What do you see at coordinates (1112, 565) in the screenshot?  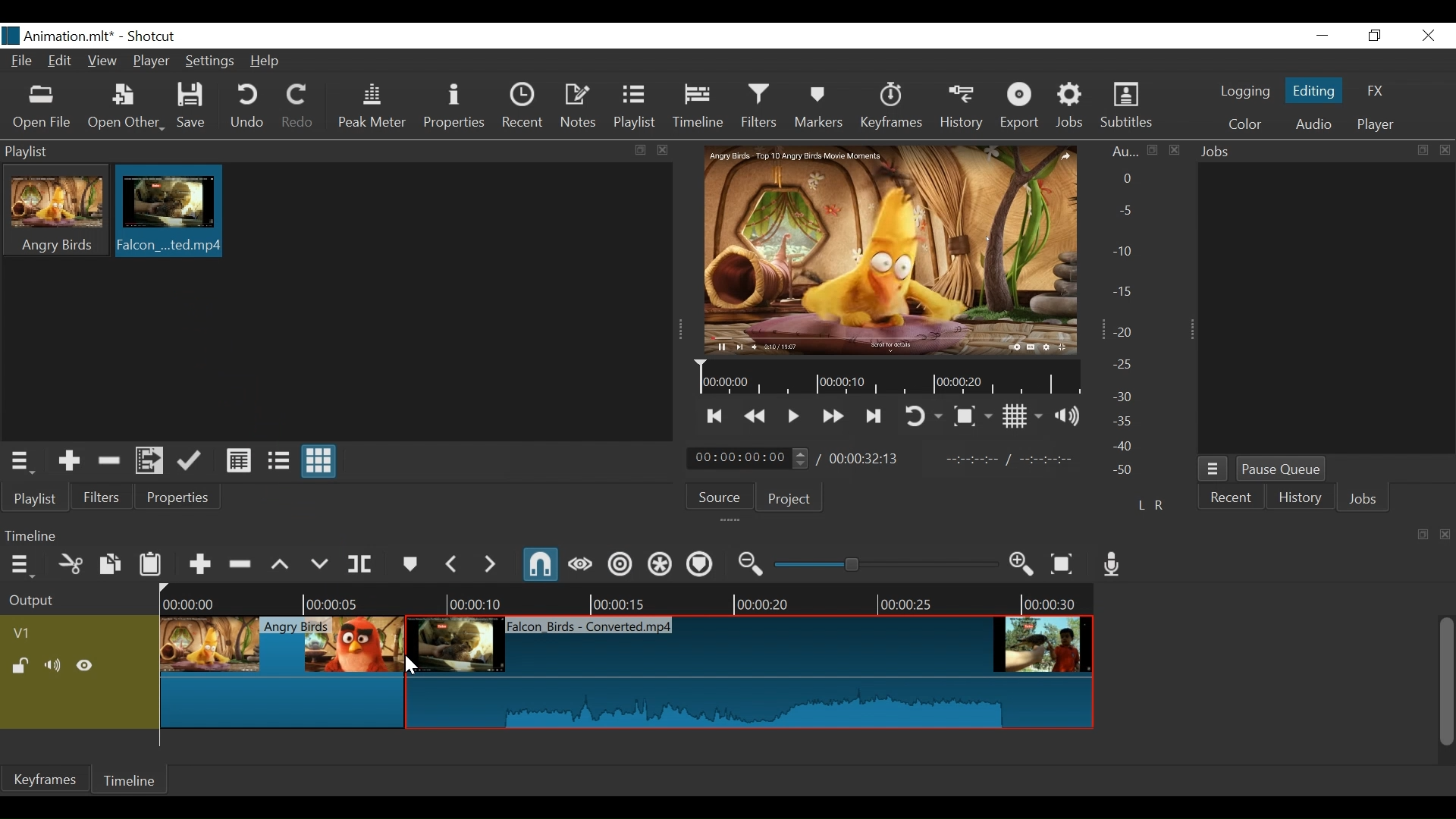 I see `Record Audio` at bounding box center [1112, 565].